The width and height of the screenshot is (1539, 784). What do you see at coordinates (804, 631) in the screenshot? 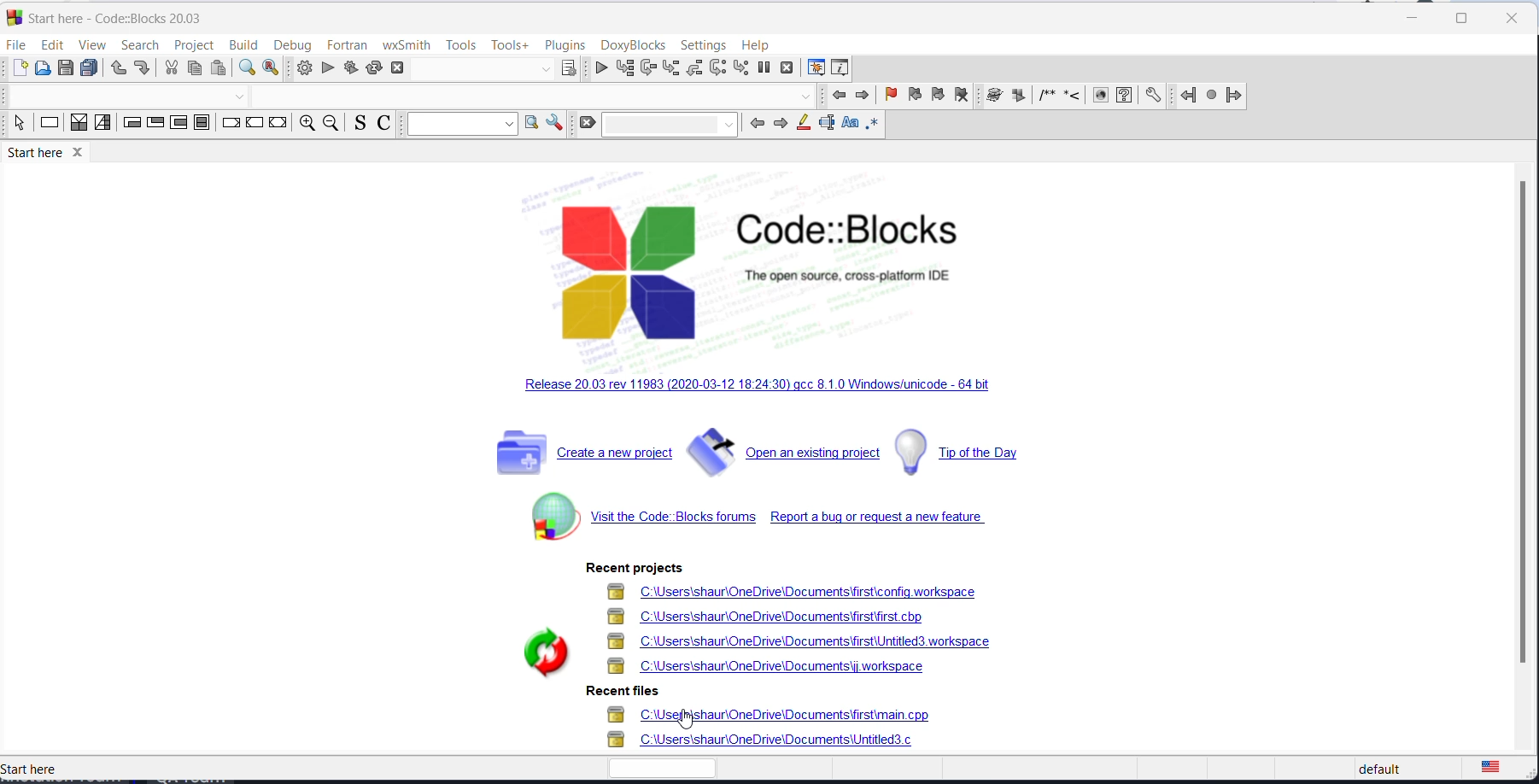
I see `recent project` at bounding box center [804, 631].